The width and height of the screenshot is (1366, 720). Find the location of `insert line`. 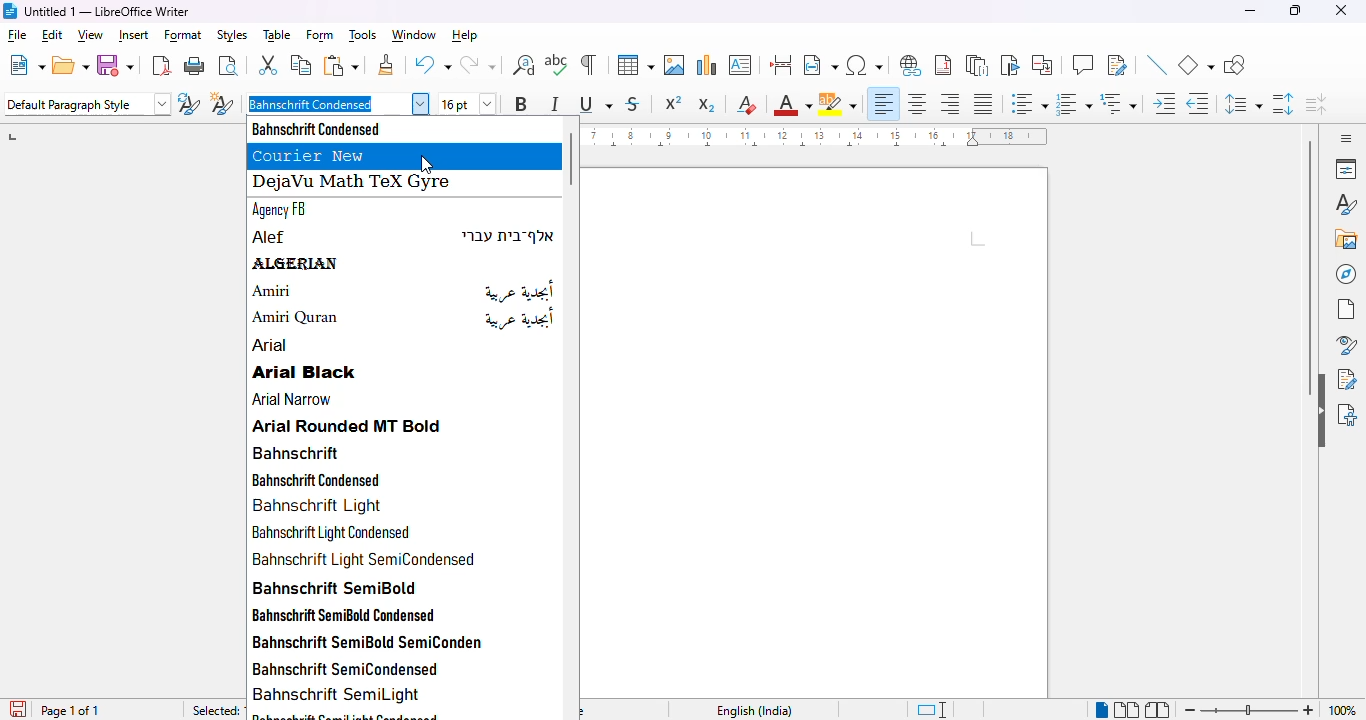

insert line is located at coordinates (1156, 64).